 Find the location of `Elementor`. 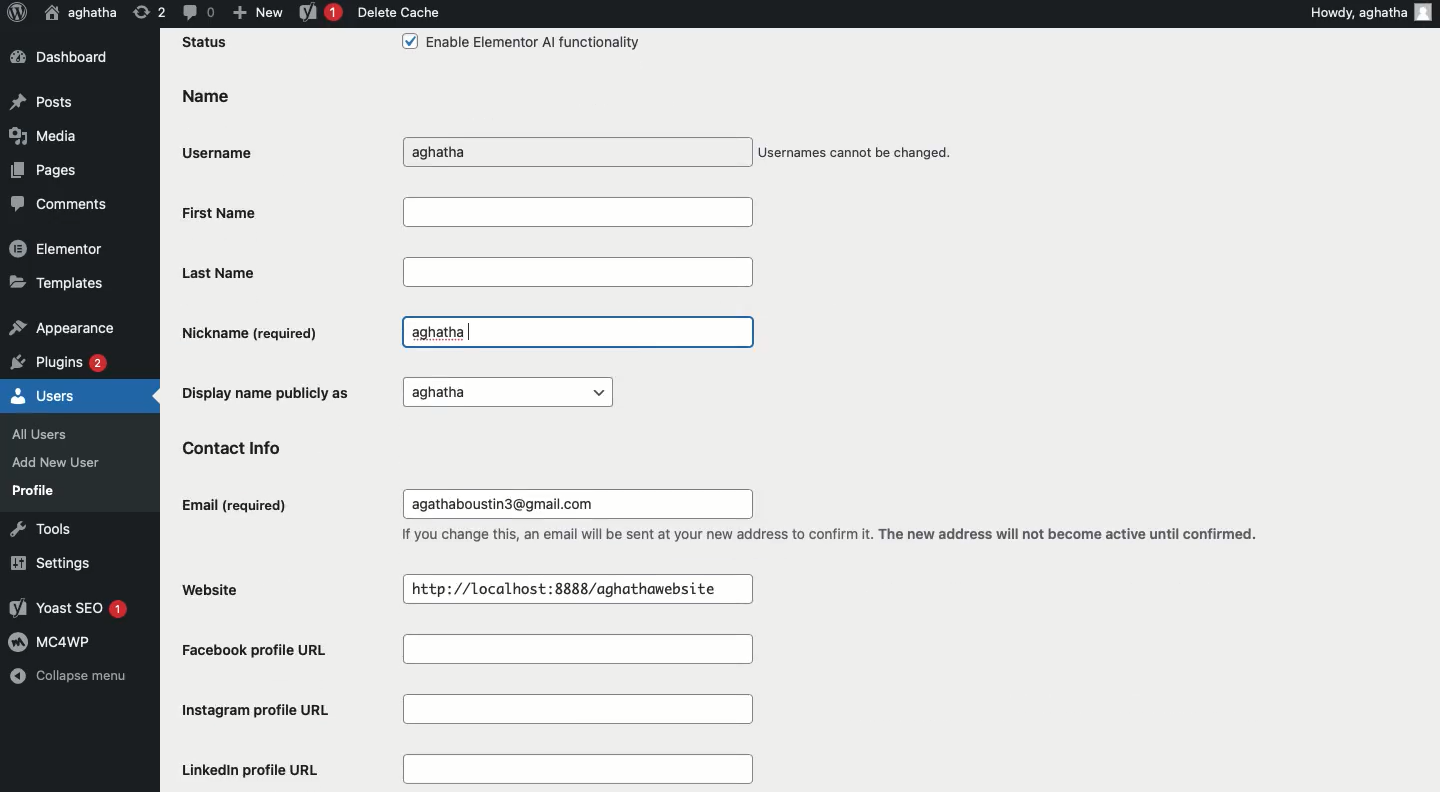

Elementor is located at coordinates (58, 247).